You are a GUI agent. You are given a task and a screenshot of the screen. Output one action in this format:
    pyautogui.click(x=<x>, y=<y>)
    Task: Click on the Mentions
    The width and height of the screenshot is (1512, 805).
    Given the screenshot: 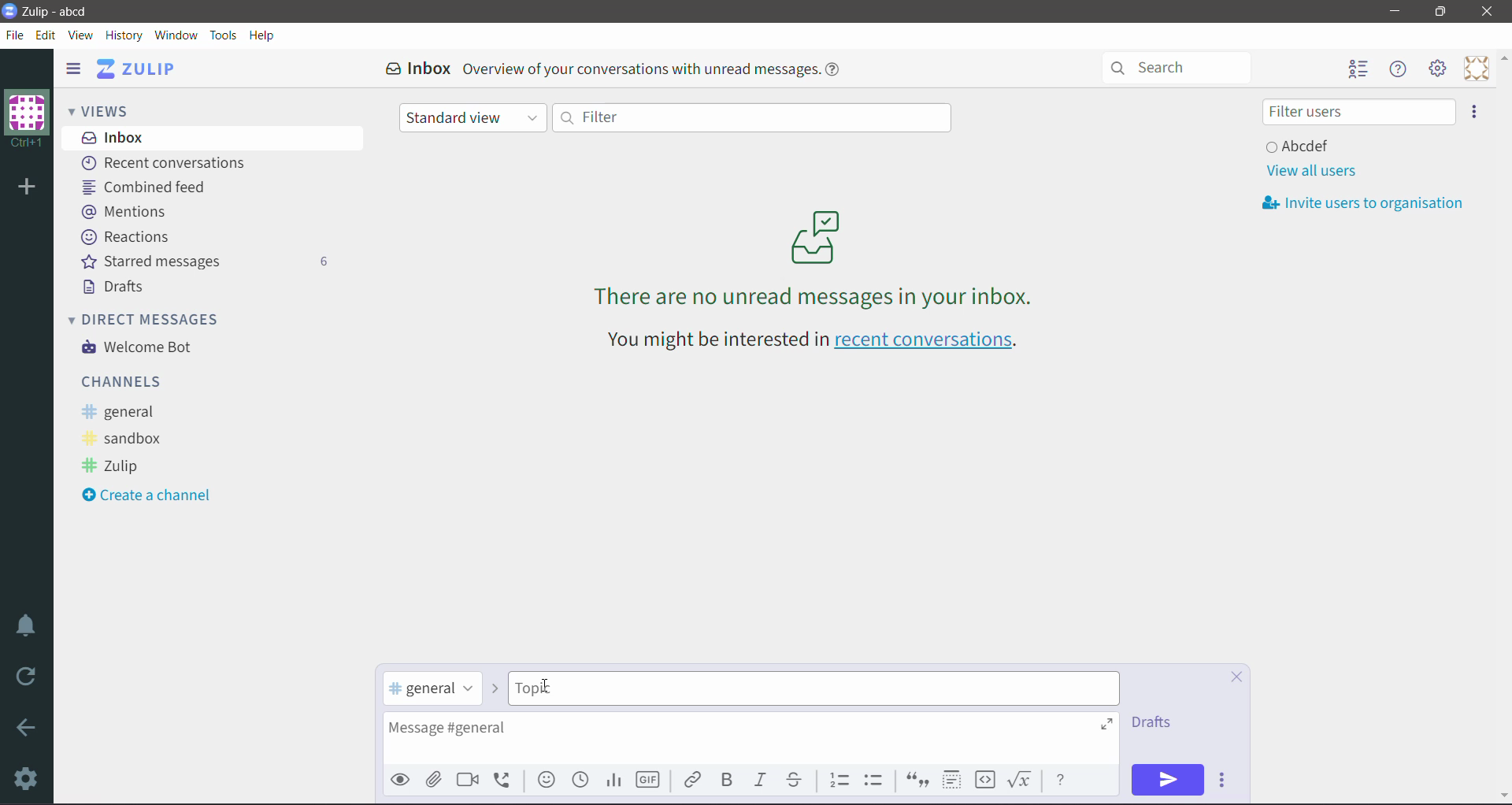 What is the action you would take?
    pyautogui.click(x=124, y=210)
    